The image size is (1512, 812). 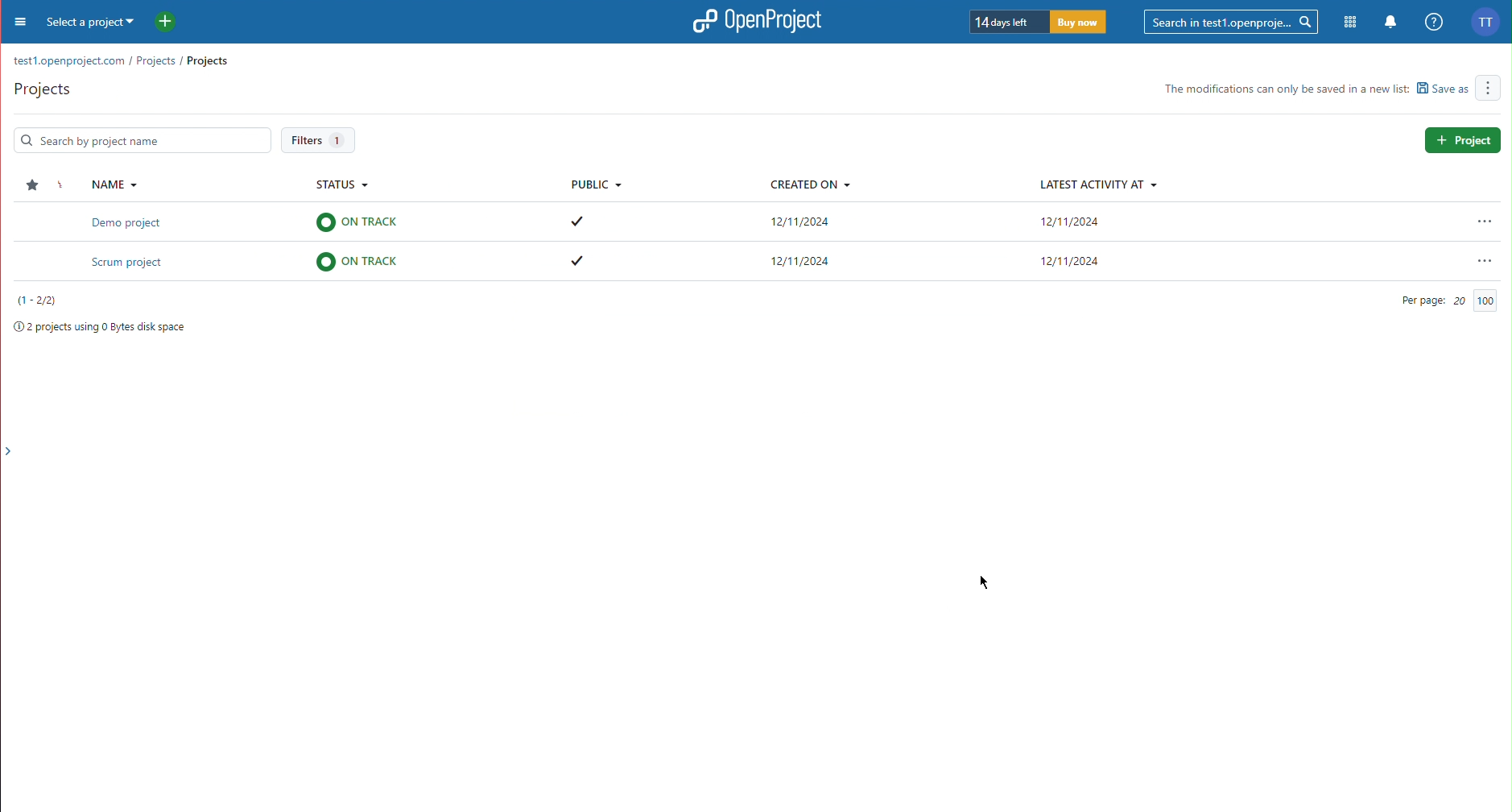 What do you see at coordinates (318, 138) in the screenshot?
I see `Filters` at bounding box center [318, 138].